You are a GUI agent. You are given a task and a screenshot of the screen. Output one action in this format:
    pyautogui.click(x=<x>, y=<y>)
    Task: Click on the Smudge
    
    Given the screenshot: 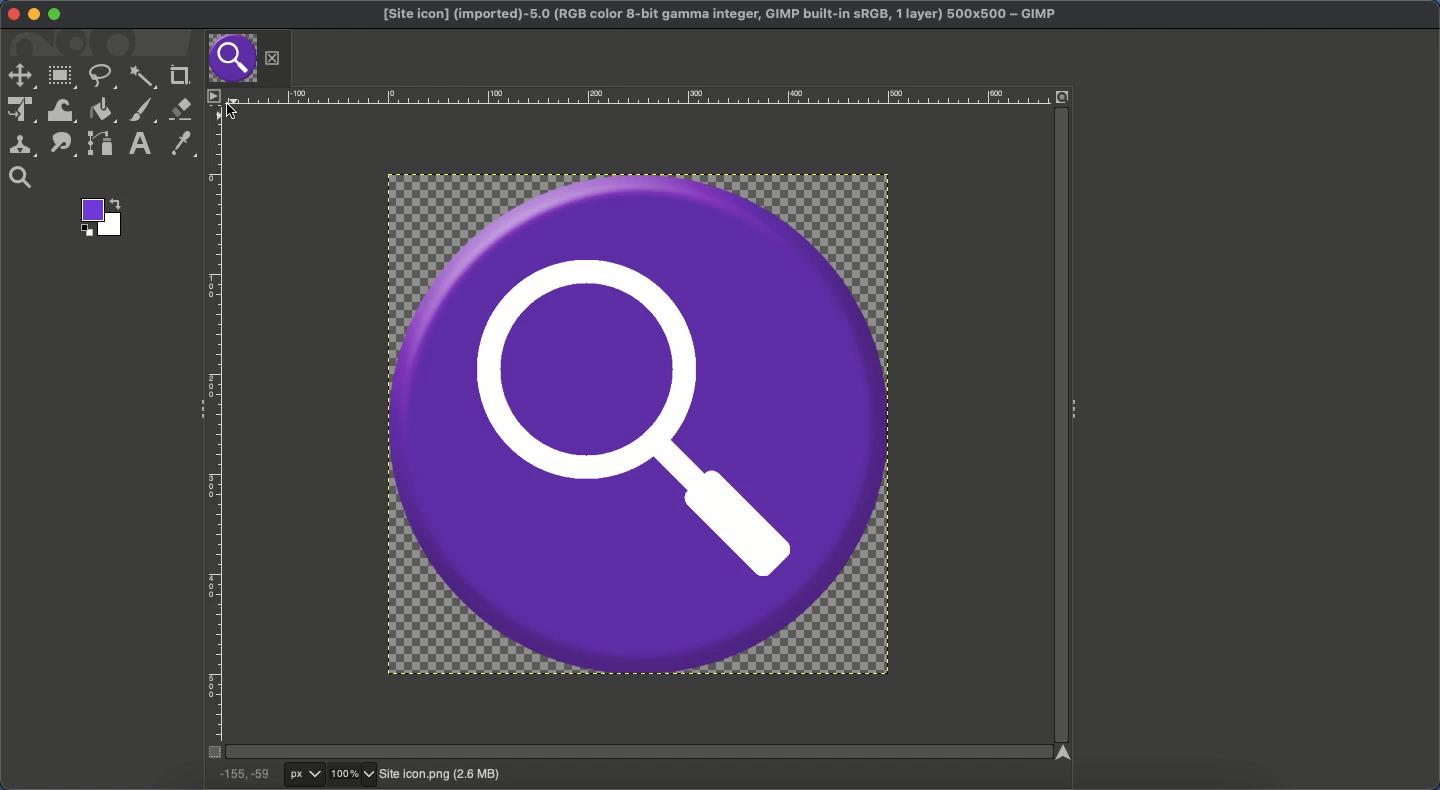 What is the action you would take?
    pyautogui.click(x=63, y=145)
    